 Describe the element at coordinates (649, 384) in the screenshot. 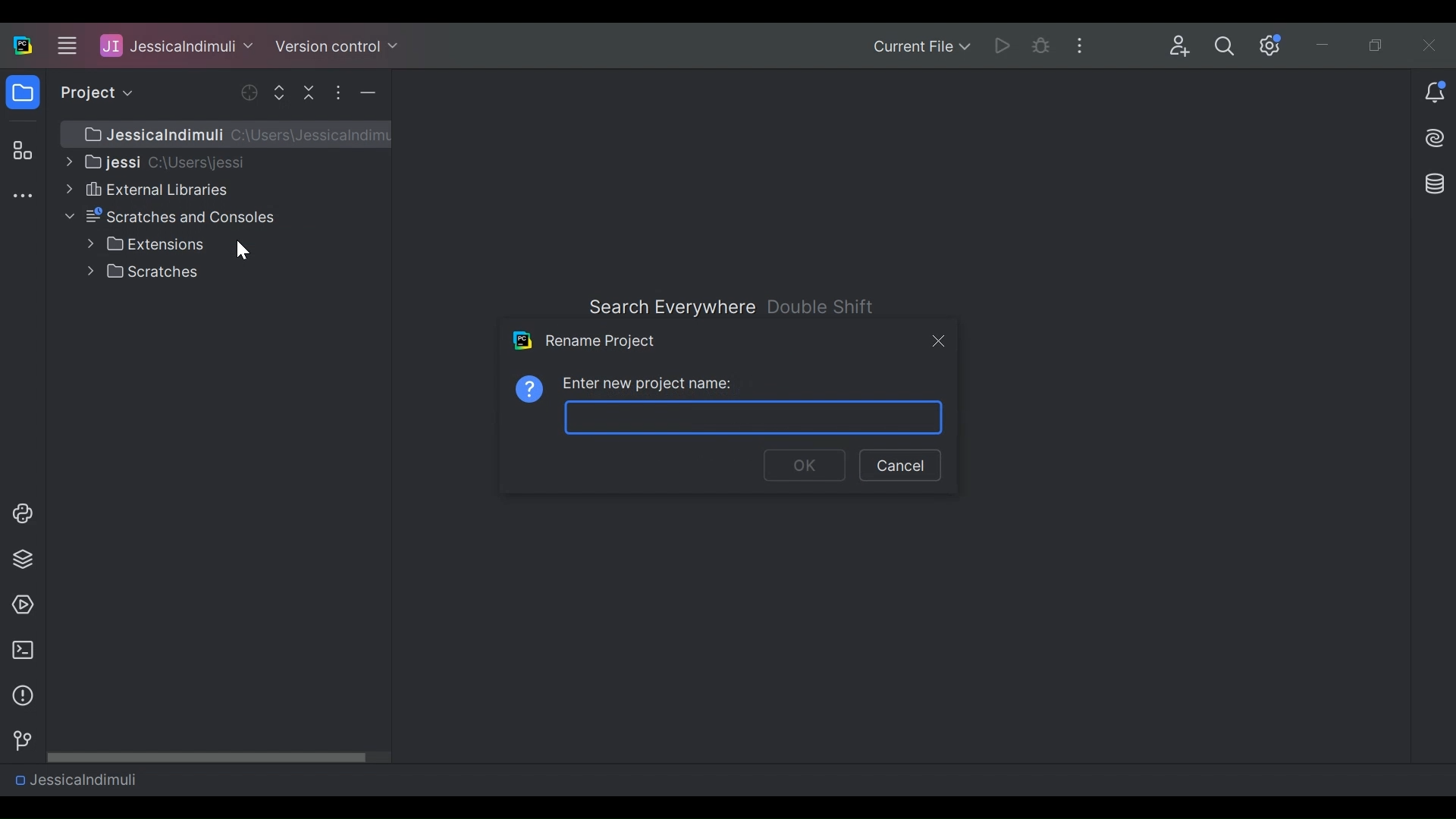

I see `Enter new project name` at that location.